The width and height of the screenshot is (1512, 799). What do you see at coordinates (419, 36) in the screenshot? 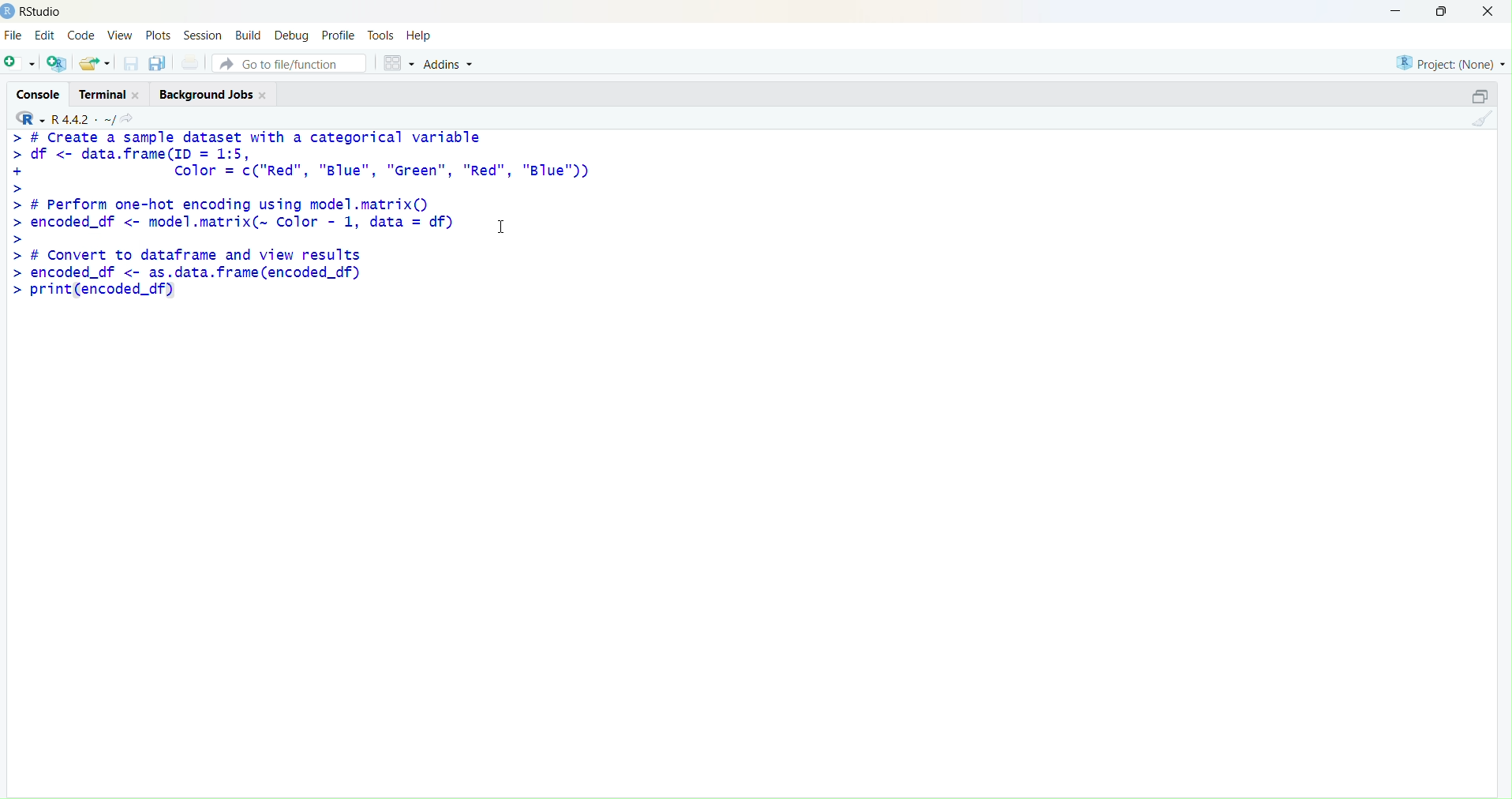
I see `help` at bounding box center [419, 36].